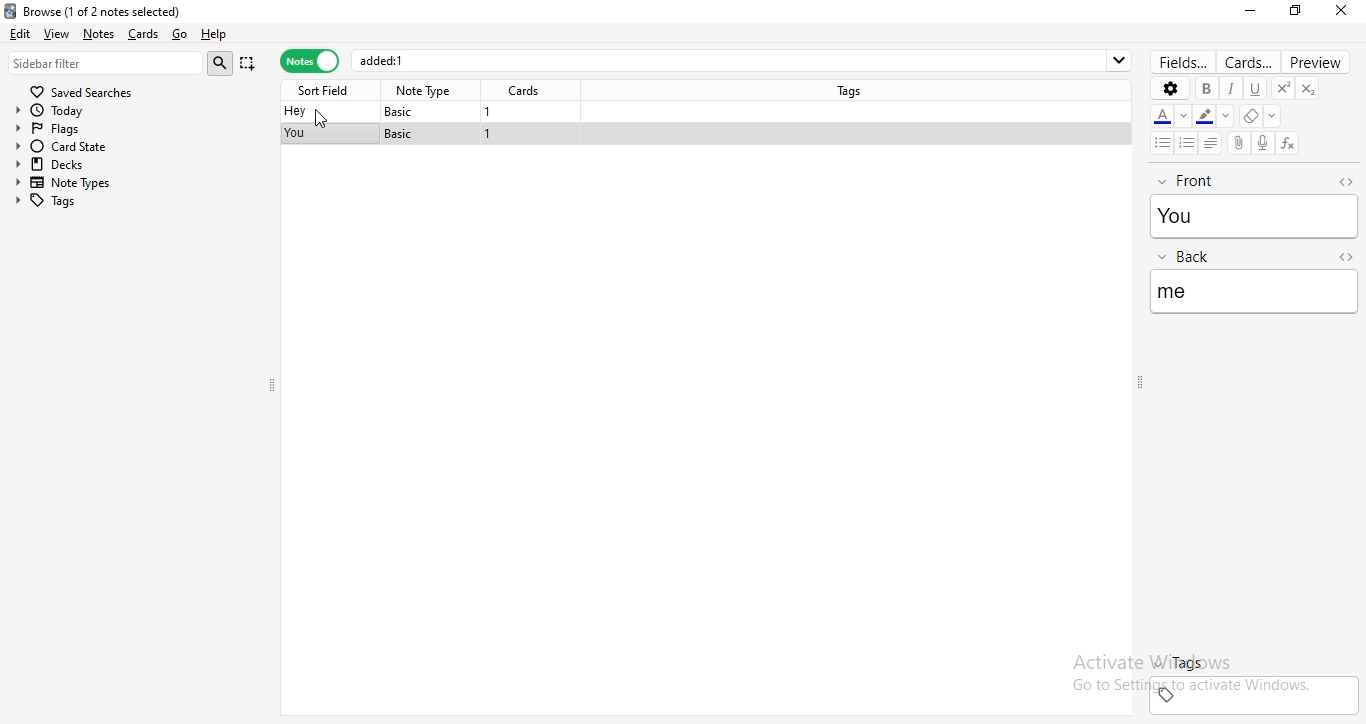 The width and height of the screenshot is (1366, 724). What do you see at coordinates (490, 136) in the screenshot?
I see `1` at bounding box center [490, 136].